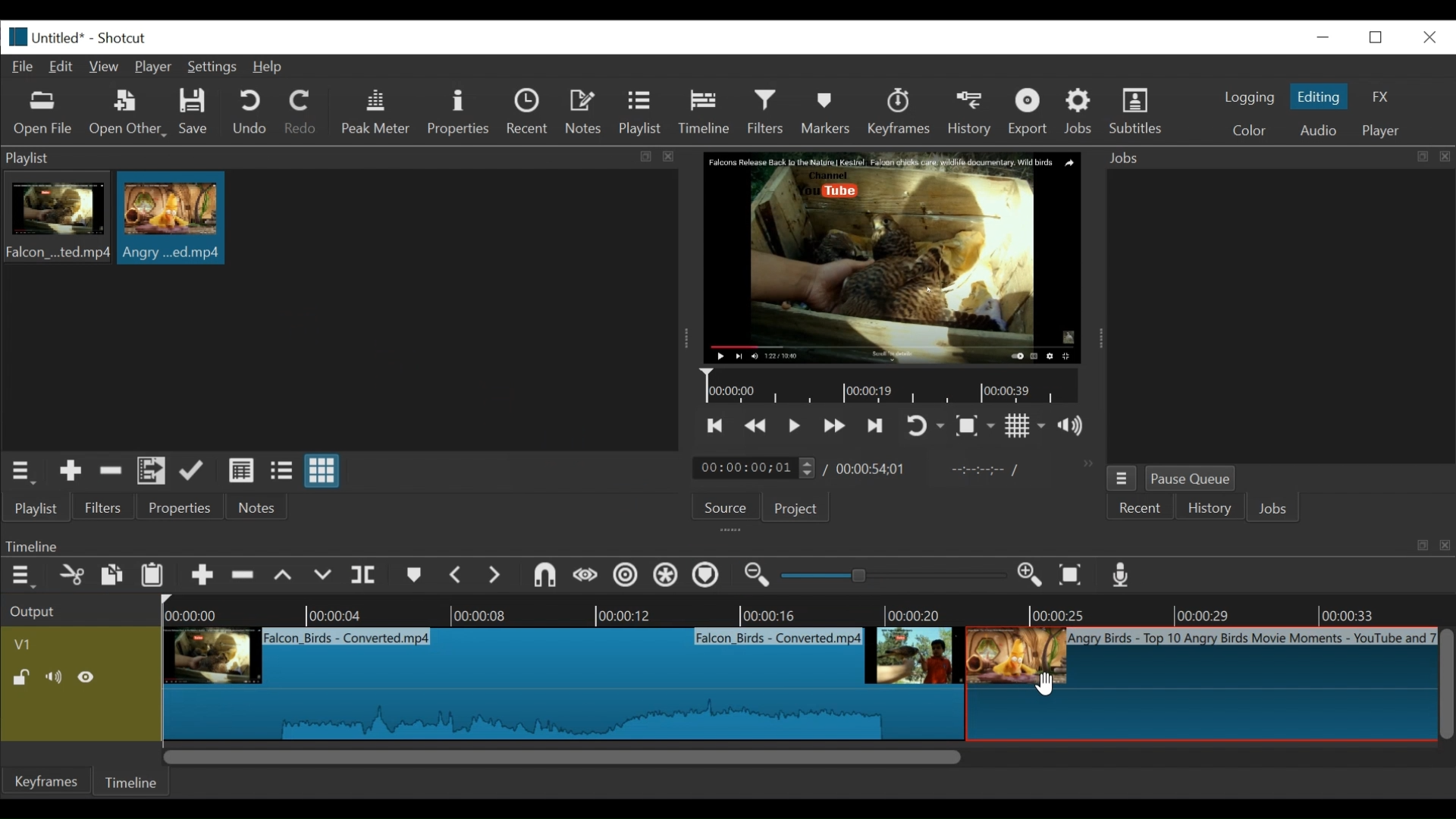  What do you see at coordinates (301, 115) in the screenshot?
I see `Redo` at bounding box center [301, 115].